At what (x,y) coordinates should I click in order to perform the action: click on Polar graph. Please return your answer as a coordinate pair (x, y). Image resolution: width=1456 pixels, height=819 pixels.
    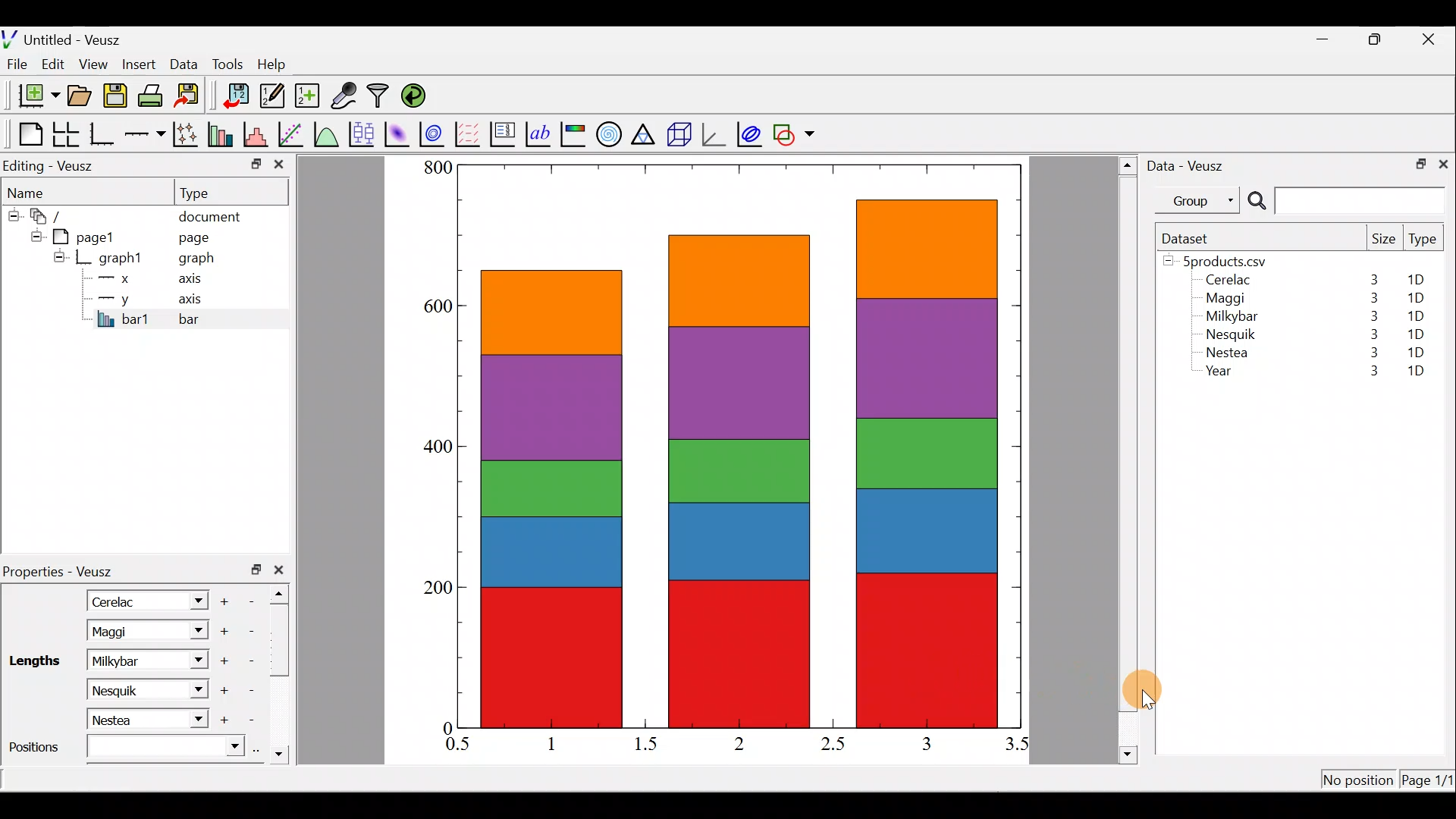
    Looking at the image, I should click on (606, 132).